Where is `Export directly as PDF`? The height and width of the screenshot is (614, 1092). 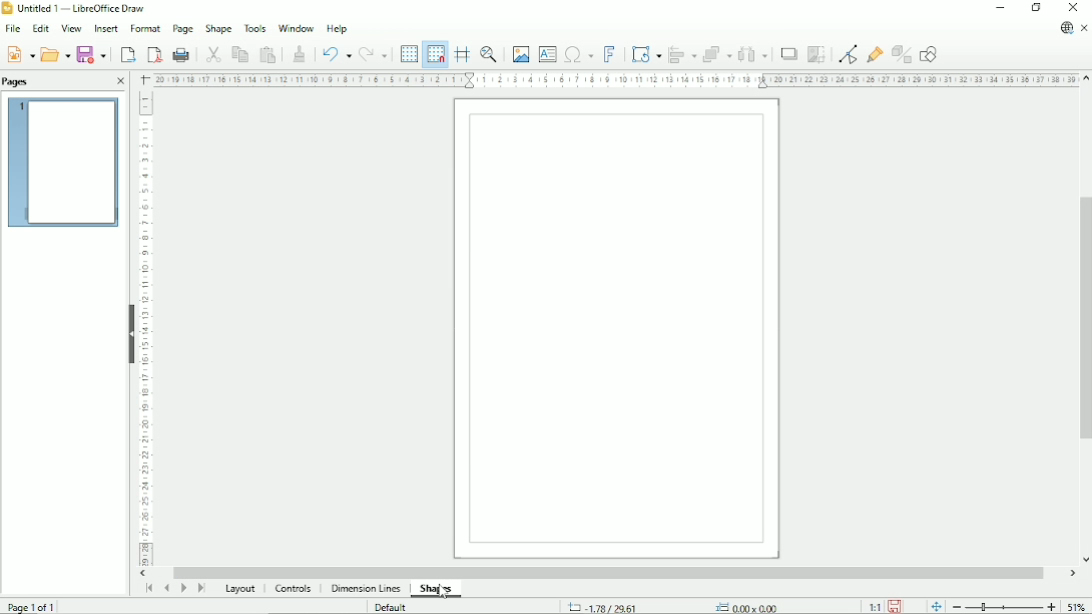
Export directly as PDF is located at coordinates (154, 54).